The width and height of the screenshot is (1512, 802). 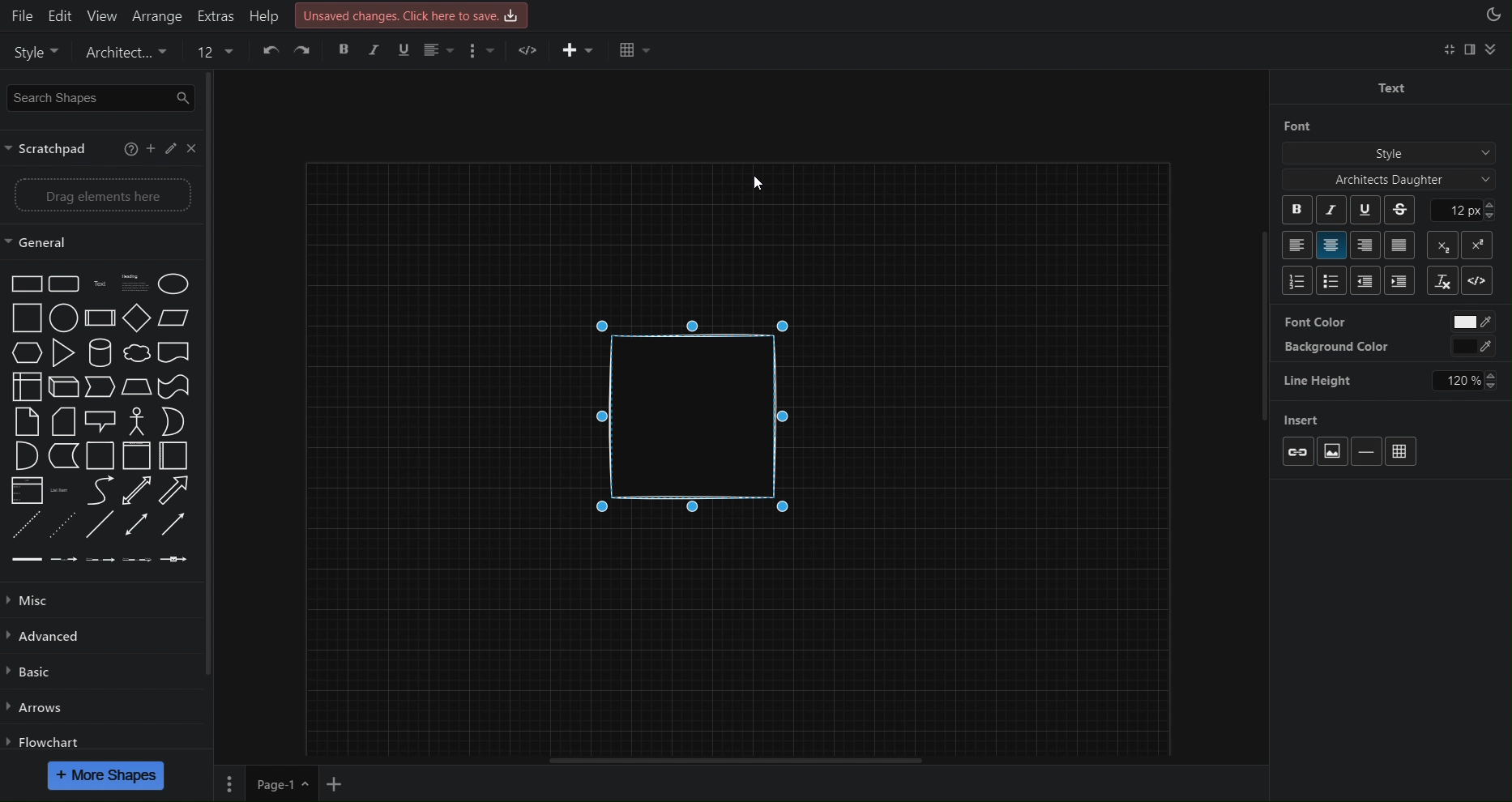 What do you see at coordinates (1339, 451) in the screenshot?
I see `Image` at bounding box center [1339, 451].